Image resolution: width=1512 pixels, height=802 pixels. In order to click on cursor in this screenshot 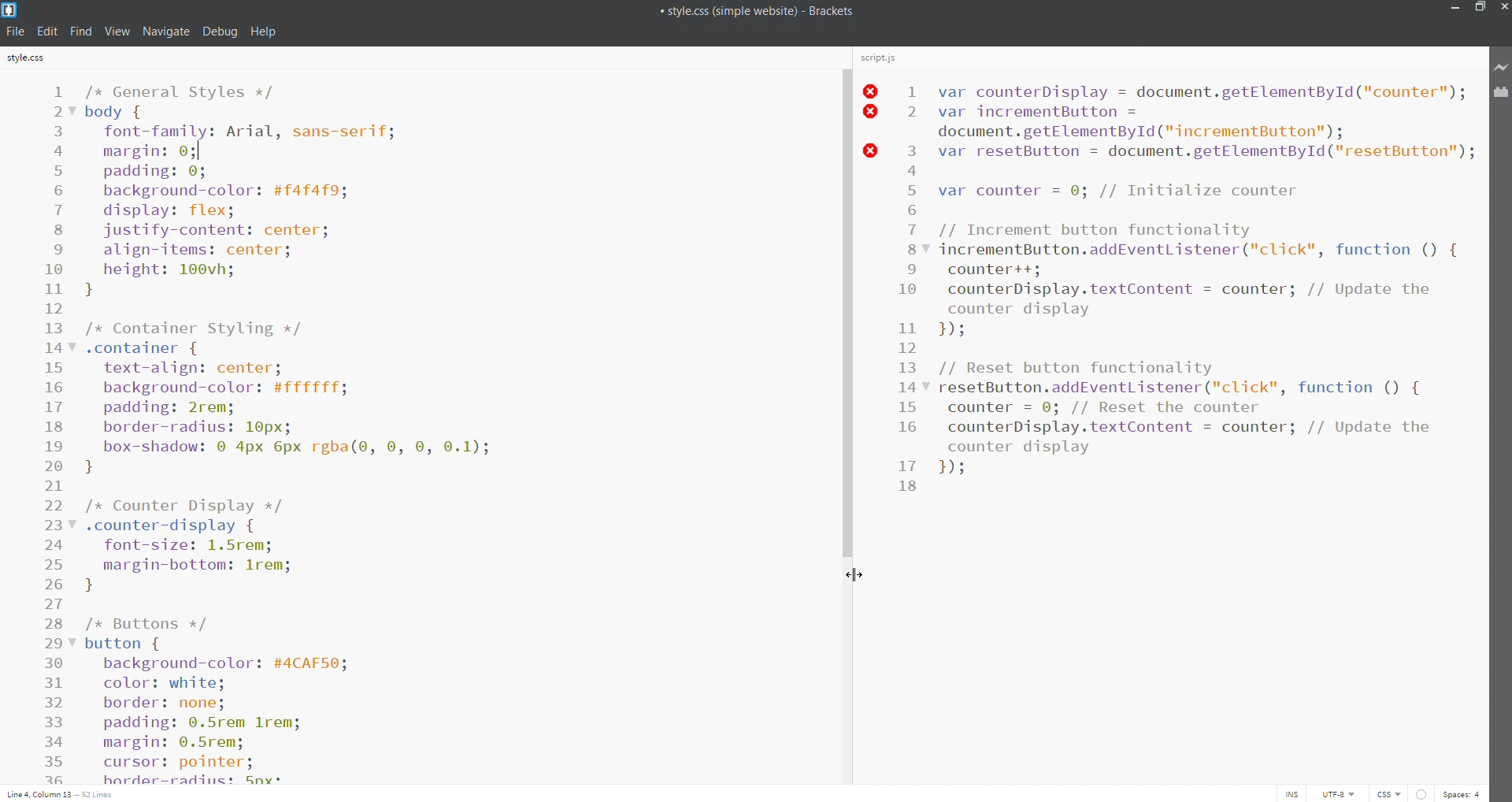, I will do `click(854, 575)`.